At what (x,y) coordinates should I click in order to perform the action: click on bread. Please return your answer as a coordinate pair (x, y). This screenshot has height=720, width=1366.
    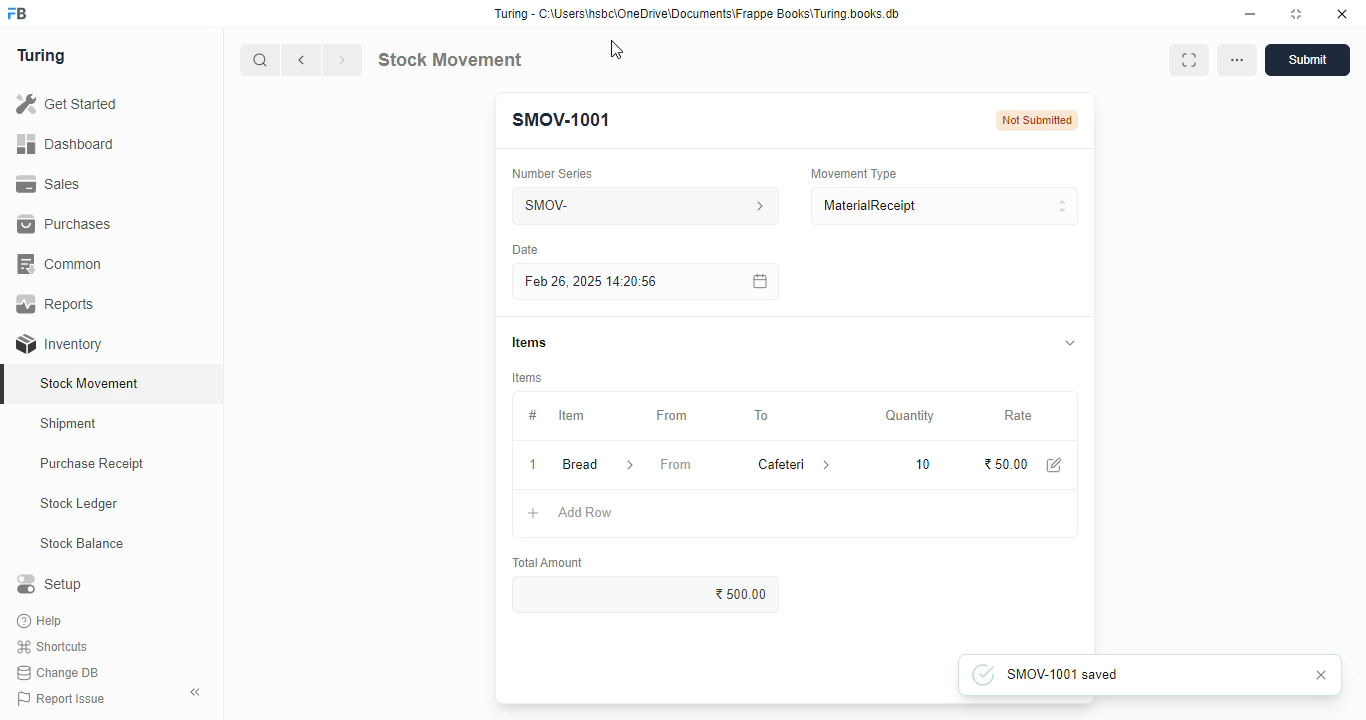
    Looking at the image, I should click on (579, 464).